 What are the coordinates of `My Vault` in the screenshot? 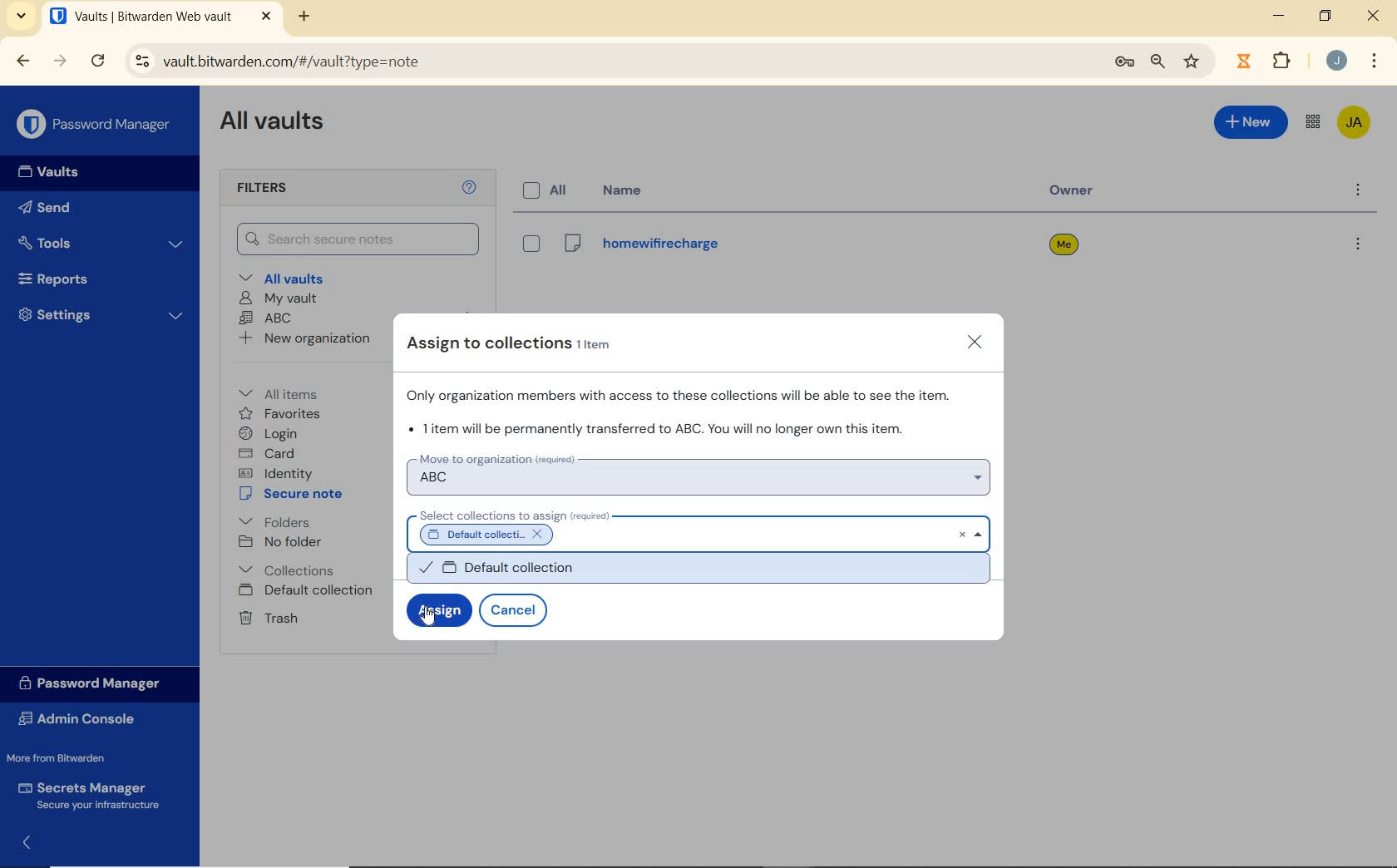 It's located at (278, 299).